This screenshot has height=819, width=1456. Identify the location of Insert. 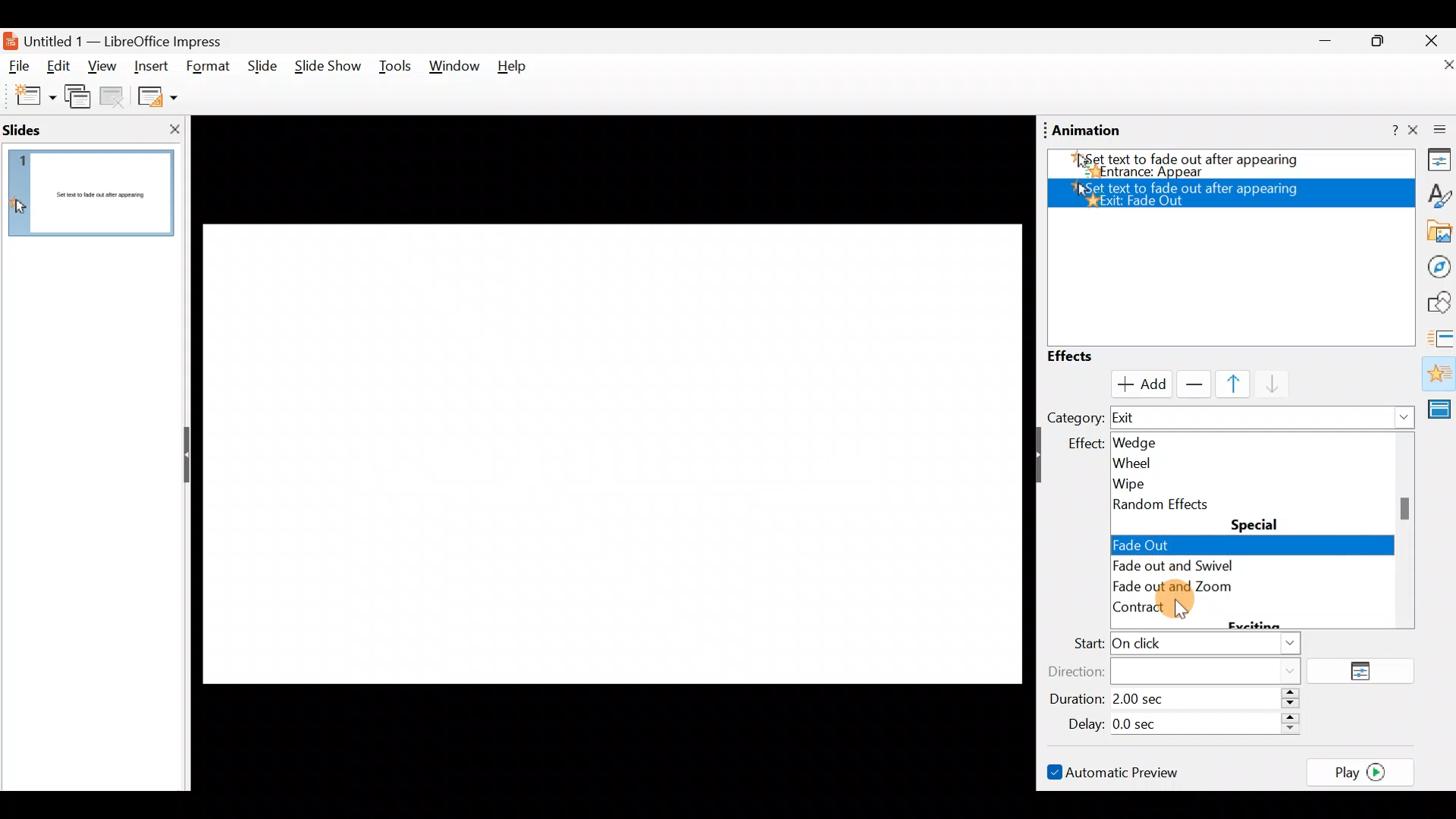
(151, 64).